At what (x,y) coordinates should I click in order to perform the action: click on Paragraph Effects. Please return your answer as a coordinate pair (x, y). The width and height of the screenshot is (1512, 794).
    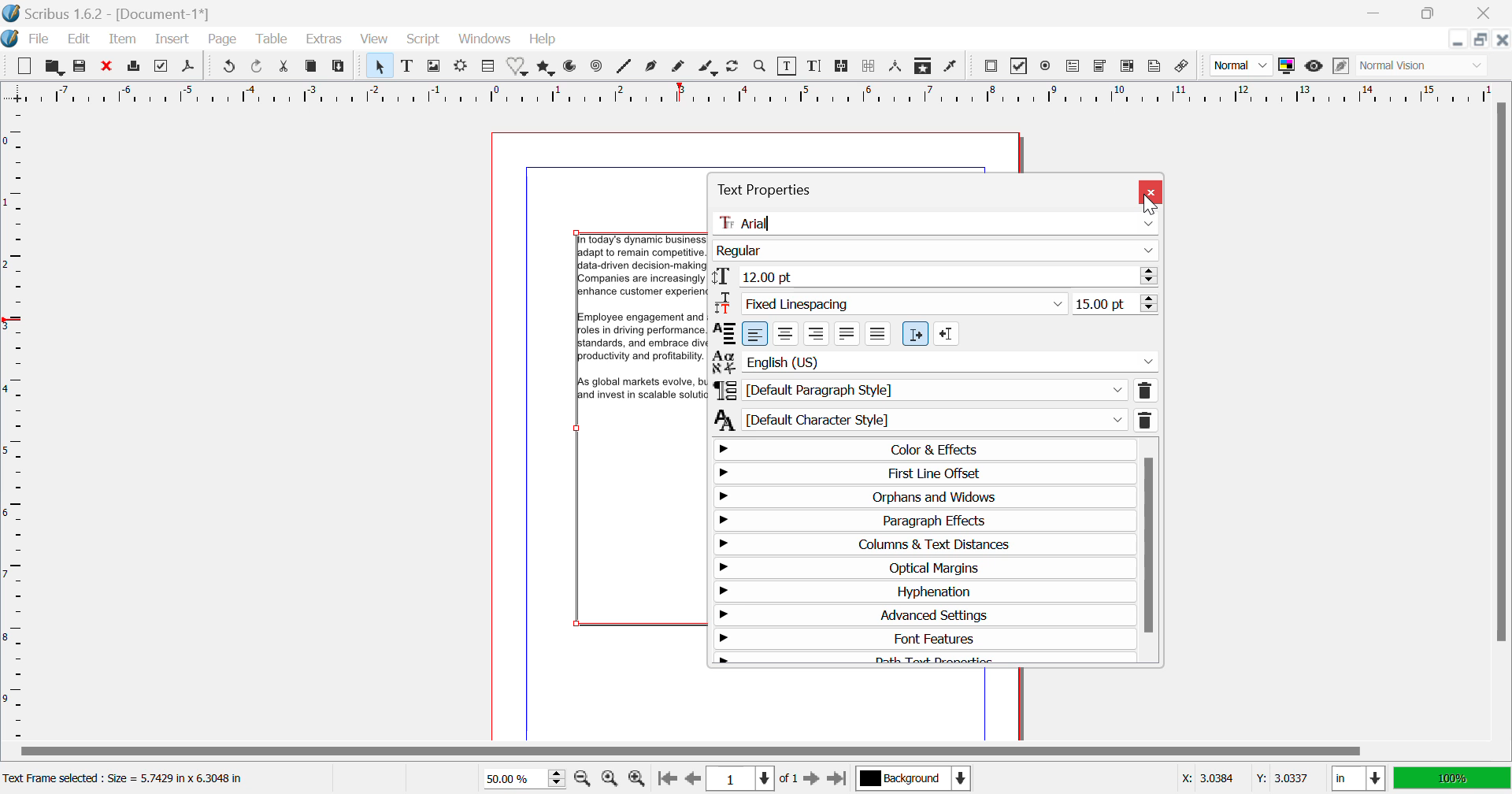
    Looking at the image, I should click on (920, 520).